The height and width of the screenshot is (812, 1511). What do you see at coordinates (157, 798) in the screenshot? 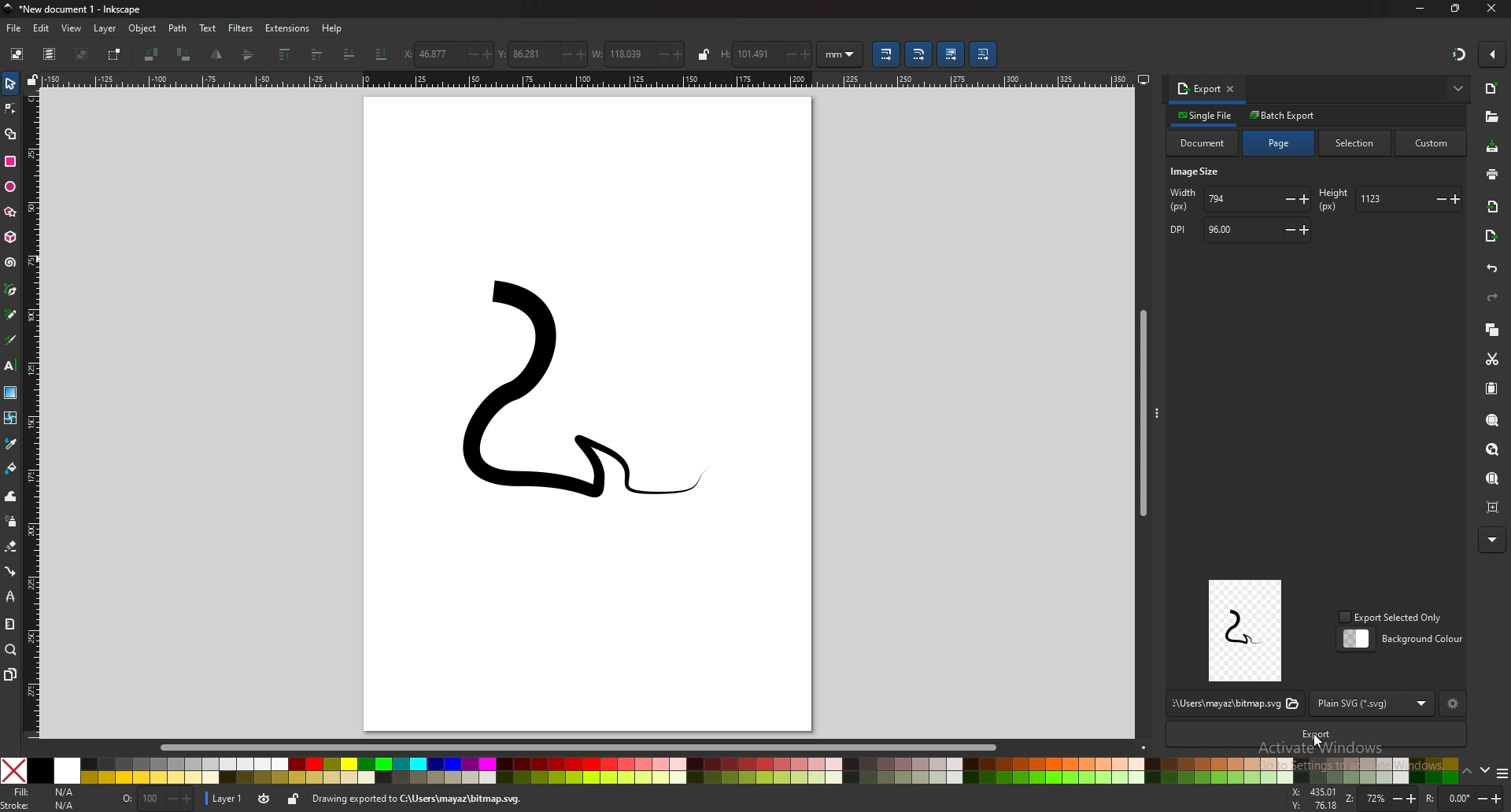
I see `opacity` at bounding box center [157, 798].